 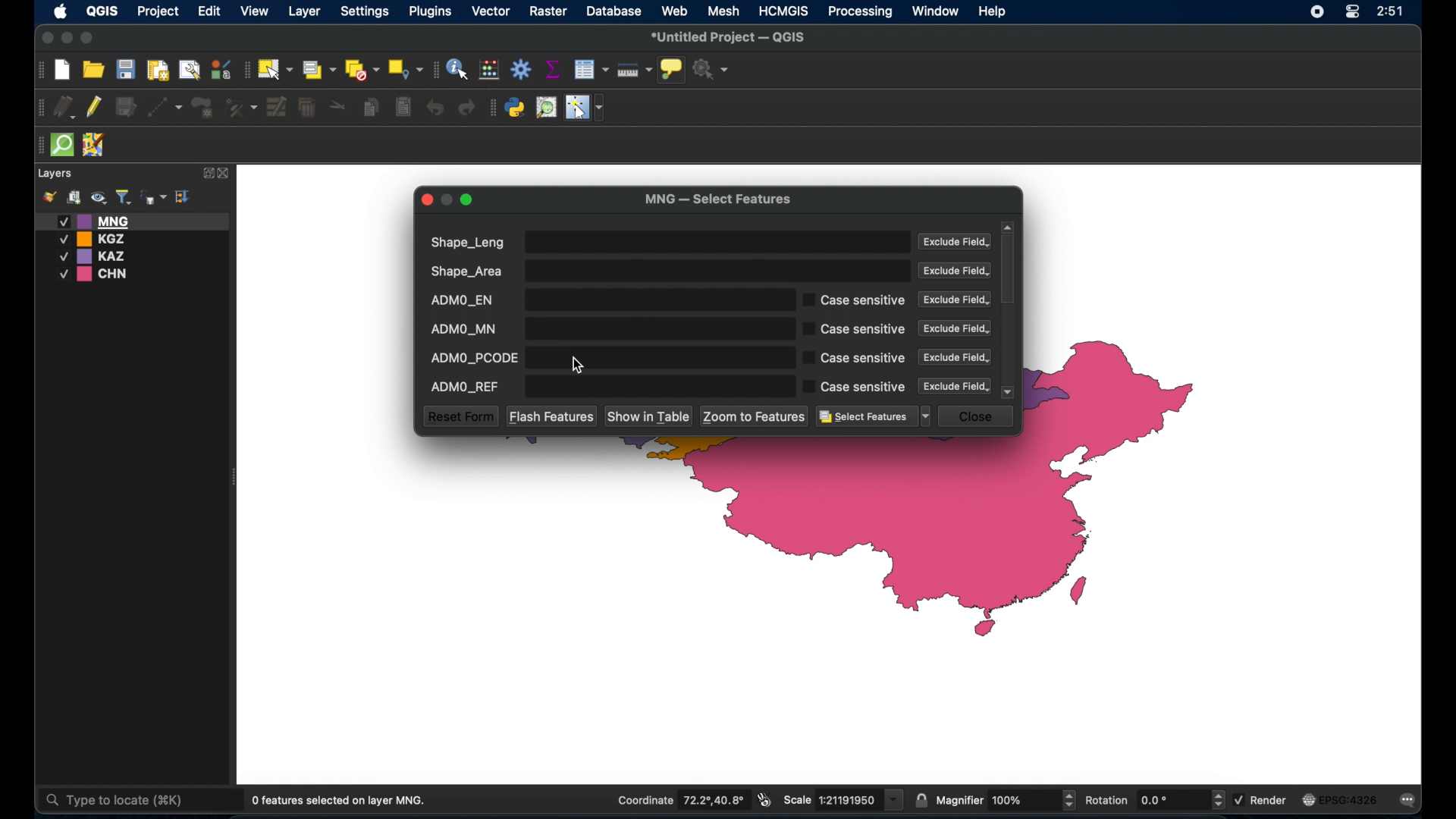 I want to click on raster, so click(x=551, y=12).